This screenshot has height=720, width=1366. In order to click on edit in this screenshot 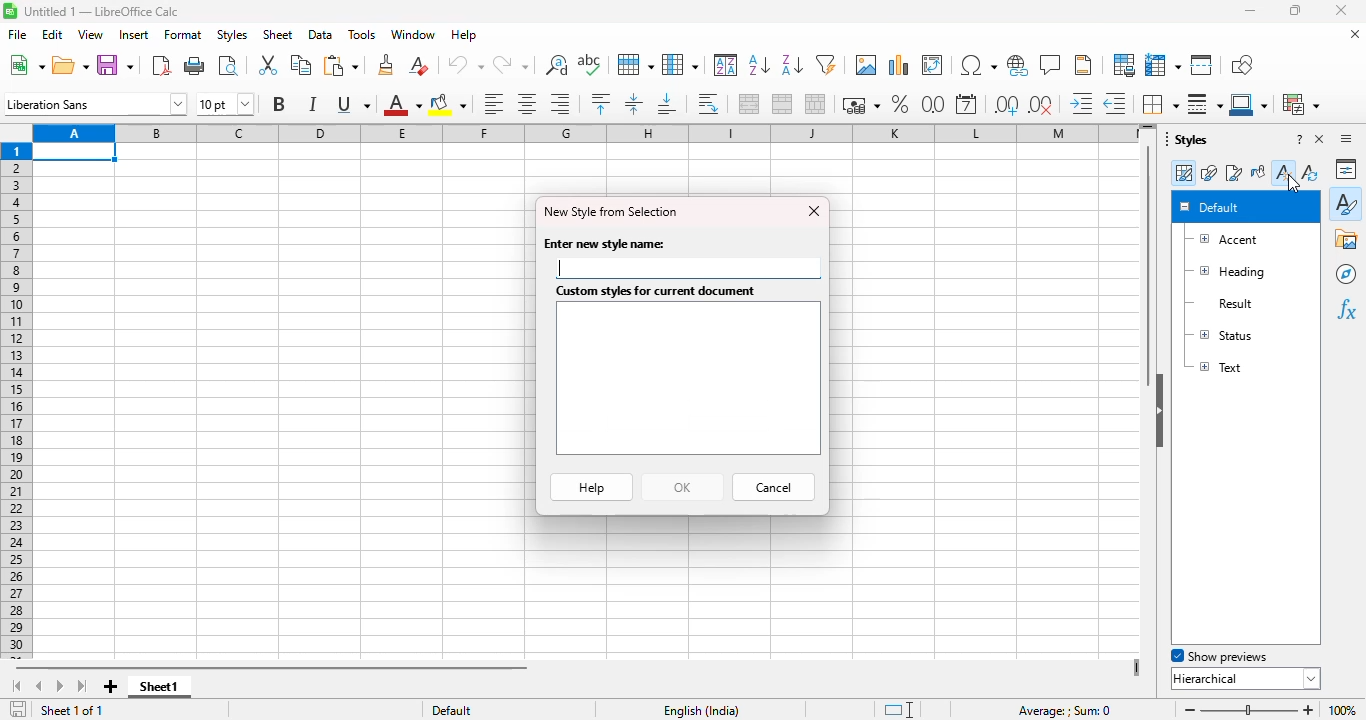, I will do `click(52, 35)`.